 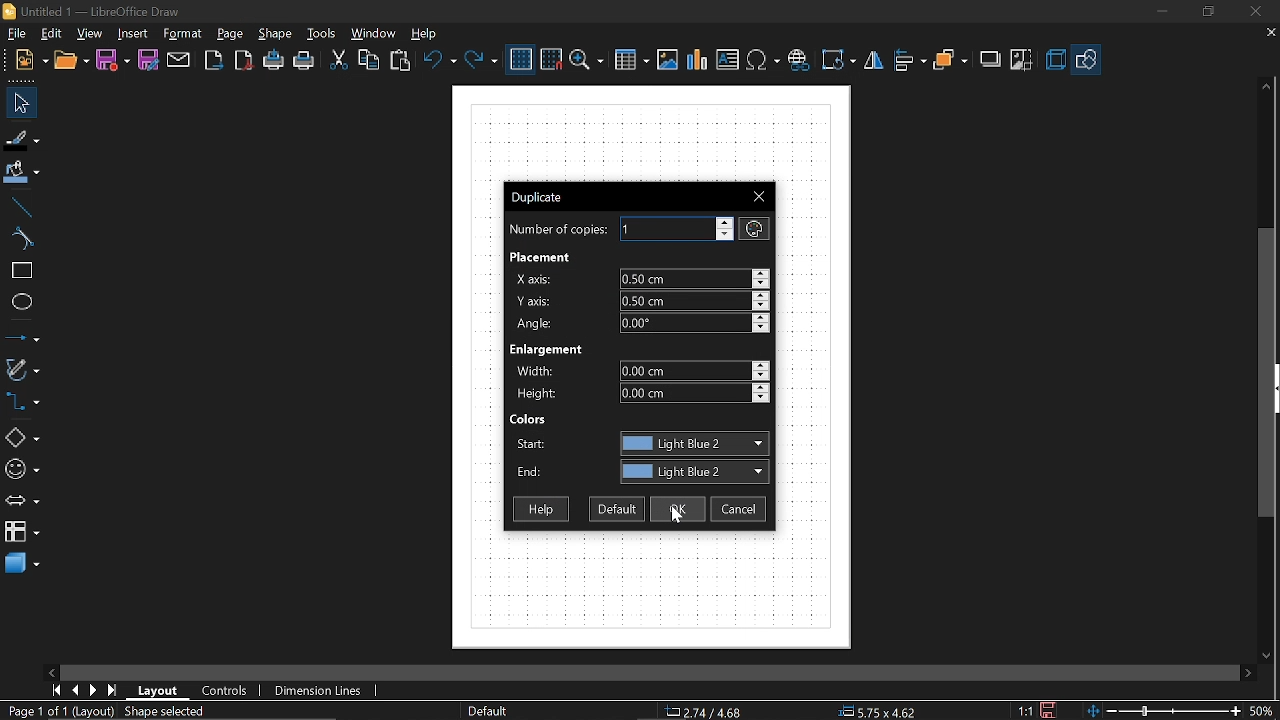 I want to click on Curves and polygon, so click(x=22, y=369).